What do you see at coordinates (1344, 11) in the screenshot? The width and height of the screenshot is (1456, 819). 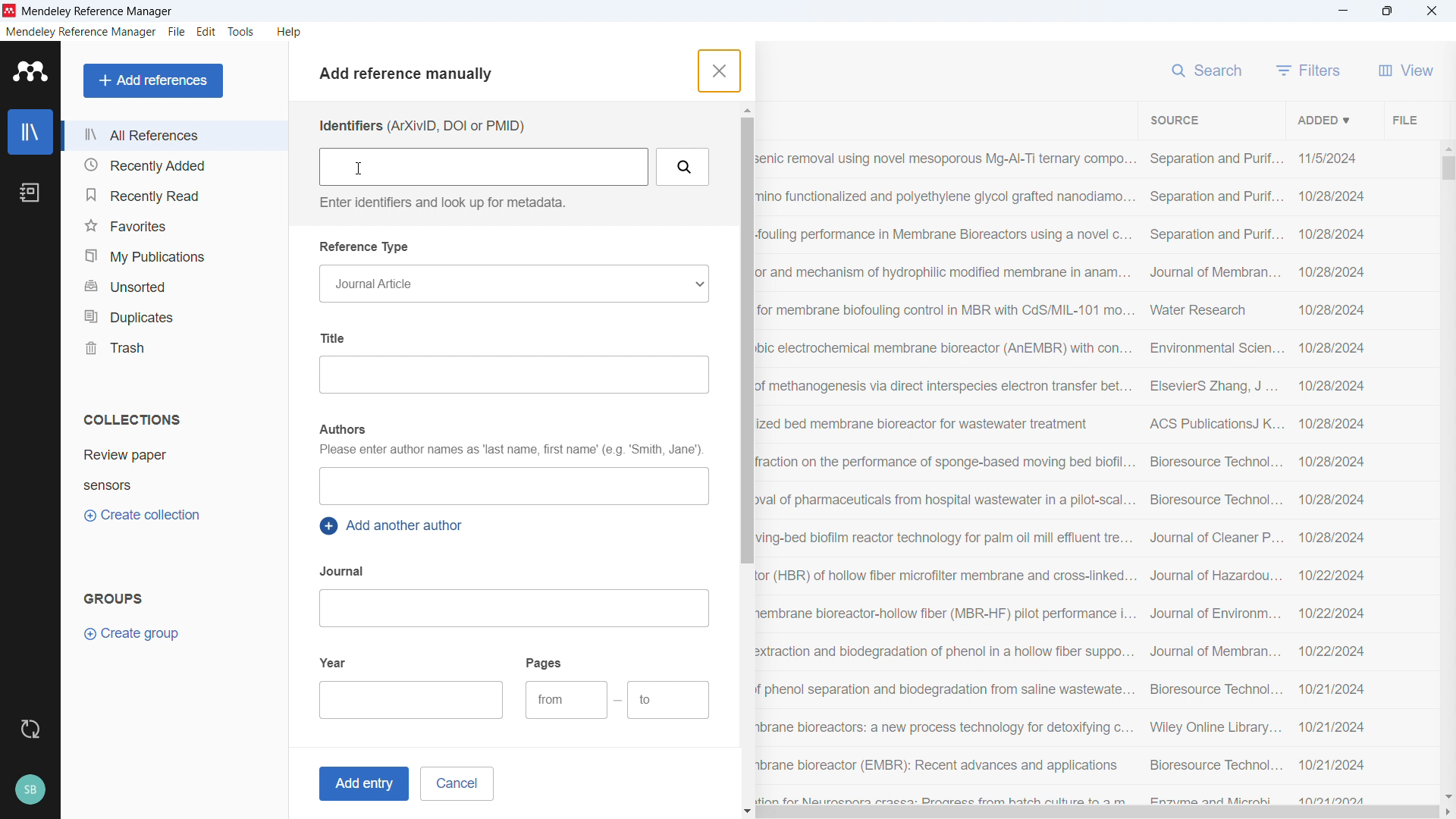 I see `minimise ` at bounding box center [1344, 11].